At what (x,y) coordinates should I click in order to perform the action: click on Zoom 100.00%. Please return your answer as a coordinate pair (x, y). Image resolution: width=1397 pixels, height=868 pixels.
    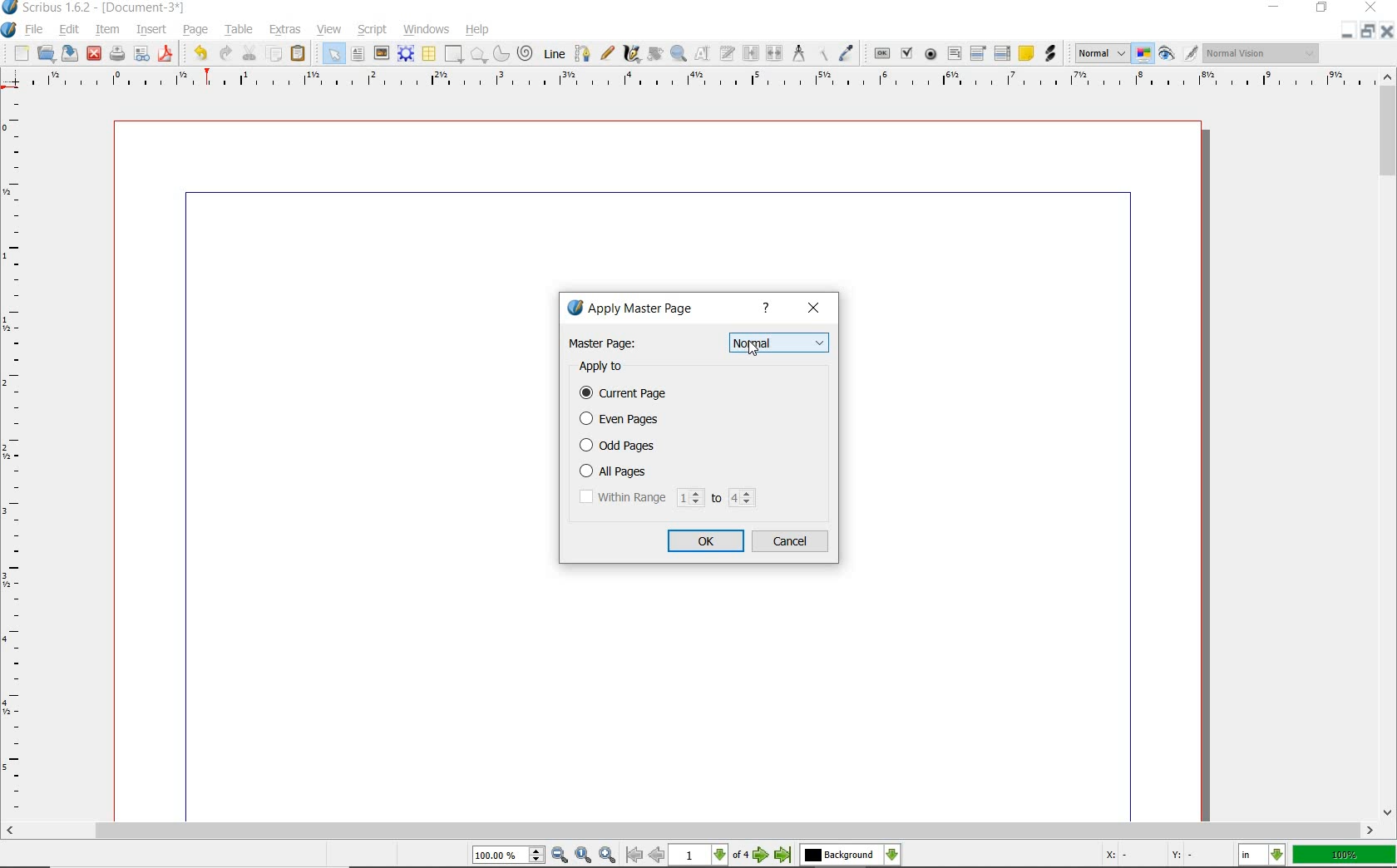
    Looking at the image, I should click on (508, 855).